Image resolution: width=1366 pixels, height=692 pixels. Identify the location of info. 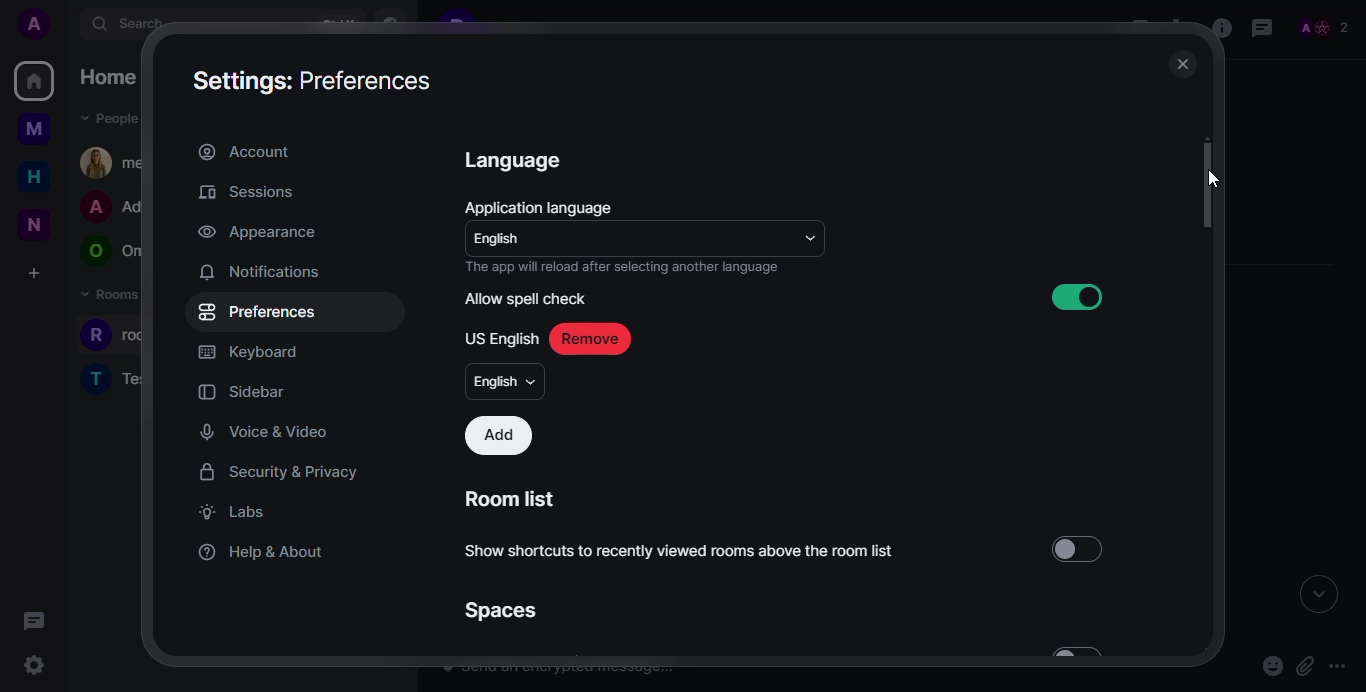
(1218, 29).